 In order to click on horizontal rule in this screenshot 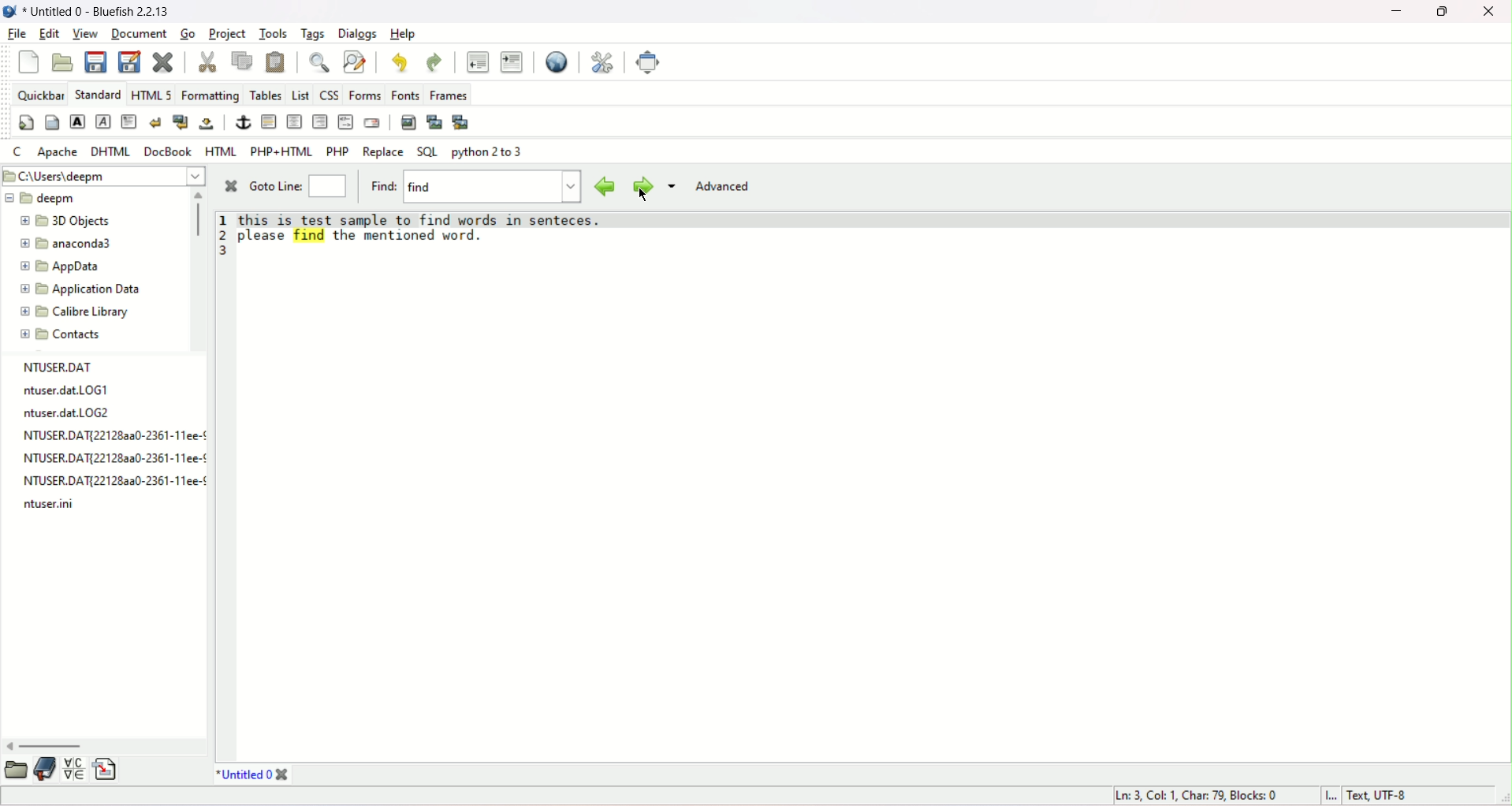, I will do `click(267, 121)`.